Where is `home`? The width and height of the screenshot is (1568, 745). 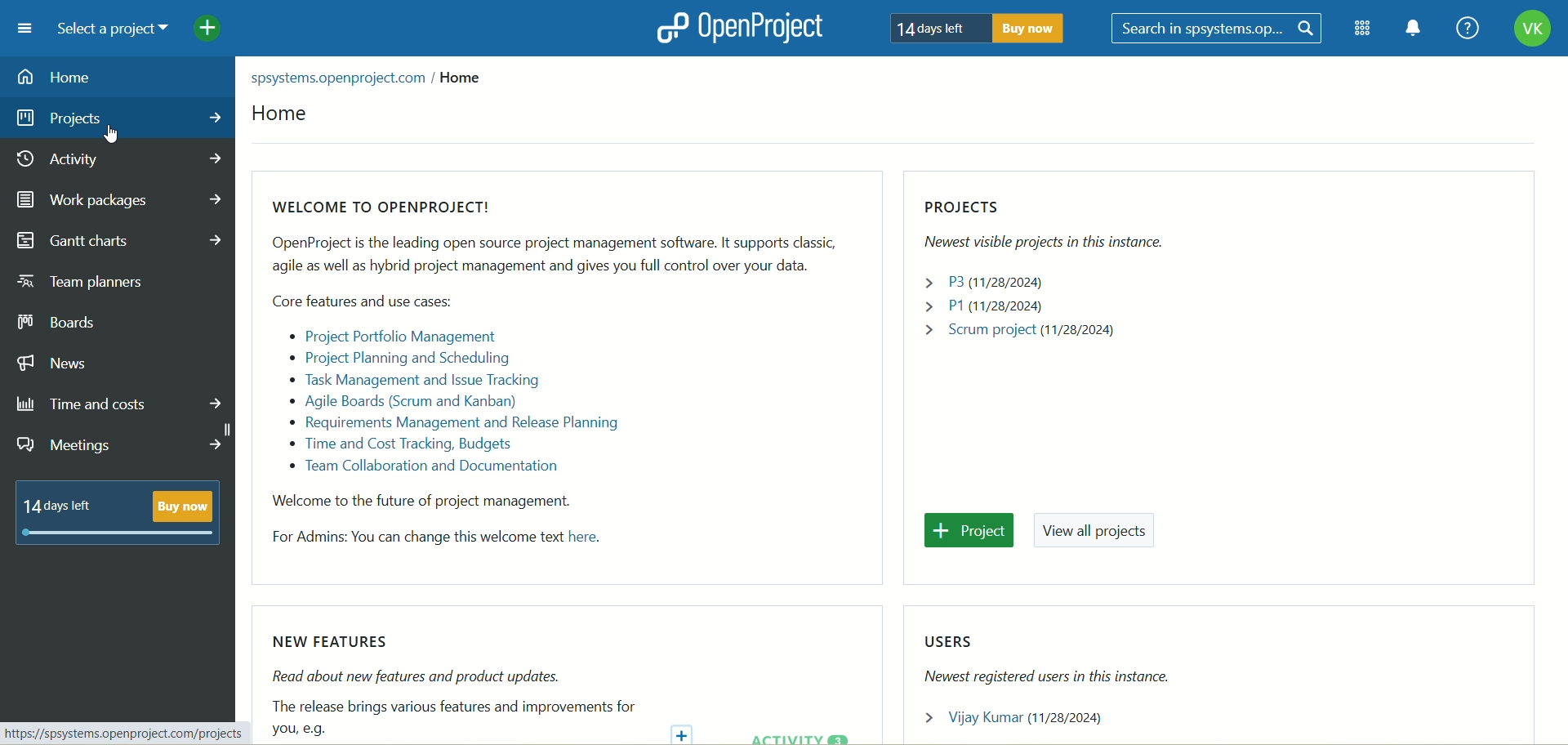
home is located at coordinates (288, 113).